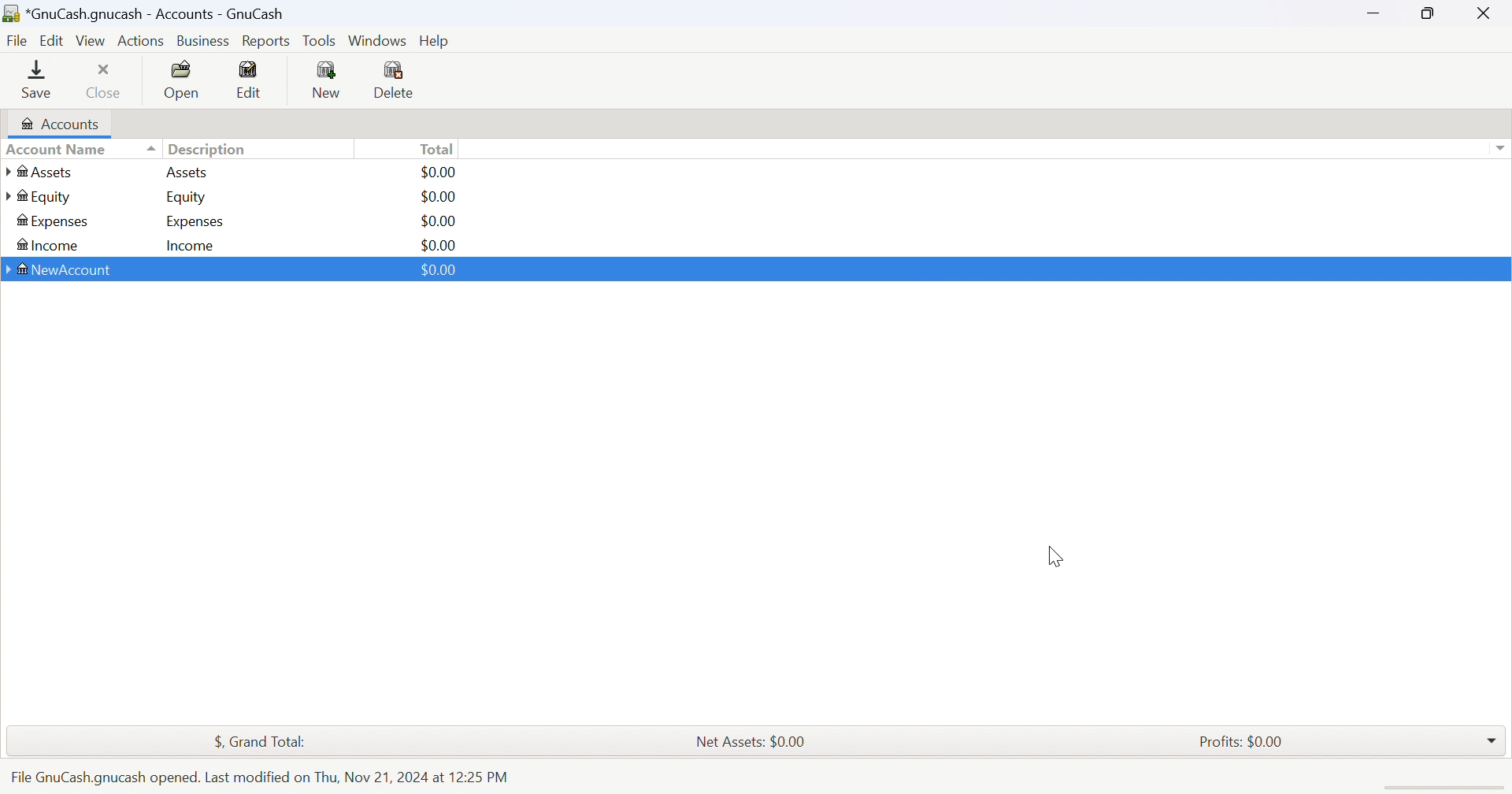 This screenshot has width=1512, height=794. What do you see at coordinates (62, 273) in the screenshot?
I see `NewAccount` at bounding box center [62, 273].